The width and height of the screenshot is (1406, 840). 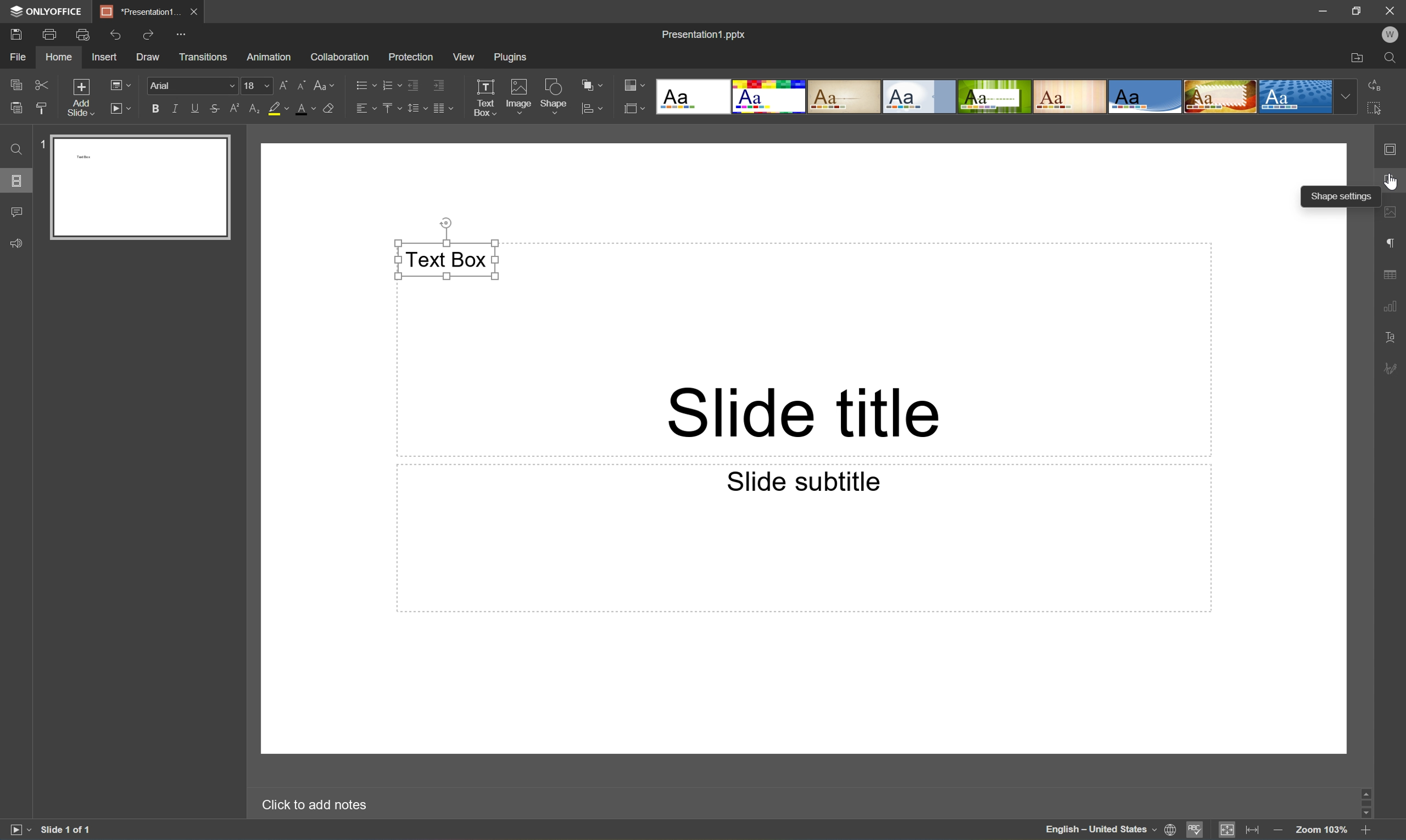 I want to click on Quick print, so click(x=81, y=36).